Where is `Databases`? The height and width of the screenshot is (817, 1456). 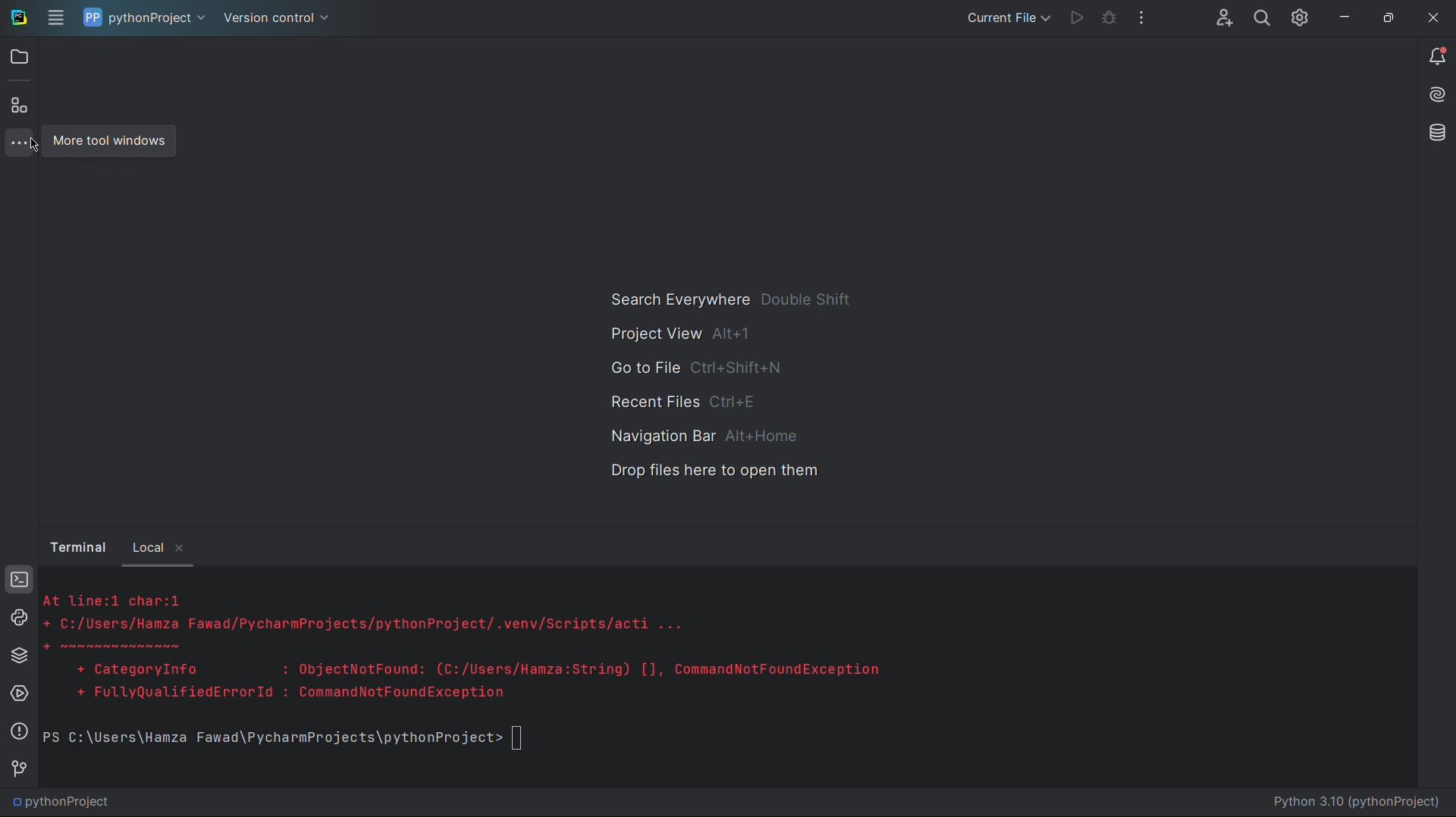 Databases is located at coordinates (1436, 133).